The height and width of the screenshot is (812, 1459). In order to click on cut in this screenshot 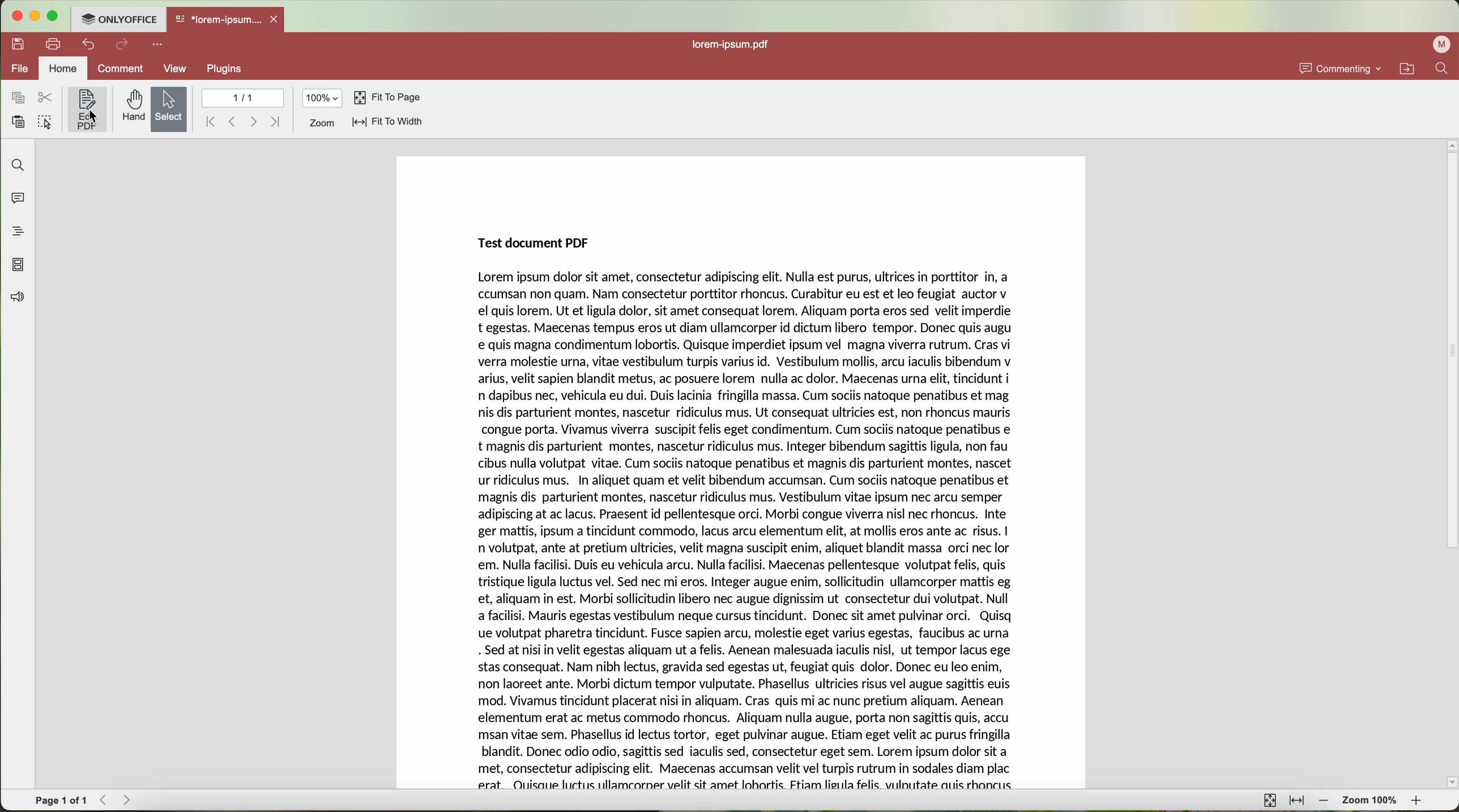, I will do `click(45, 98)`.